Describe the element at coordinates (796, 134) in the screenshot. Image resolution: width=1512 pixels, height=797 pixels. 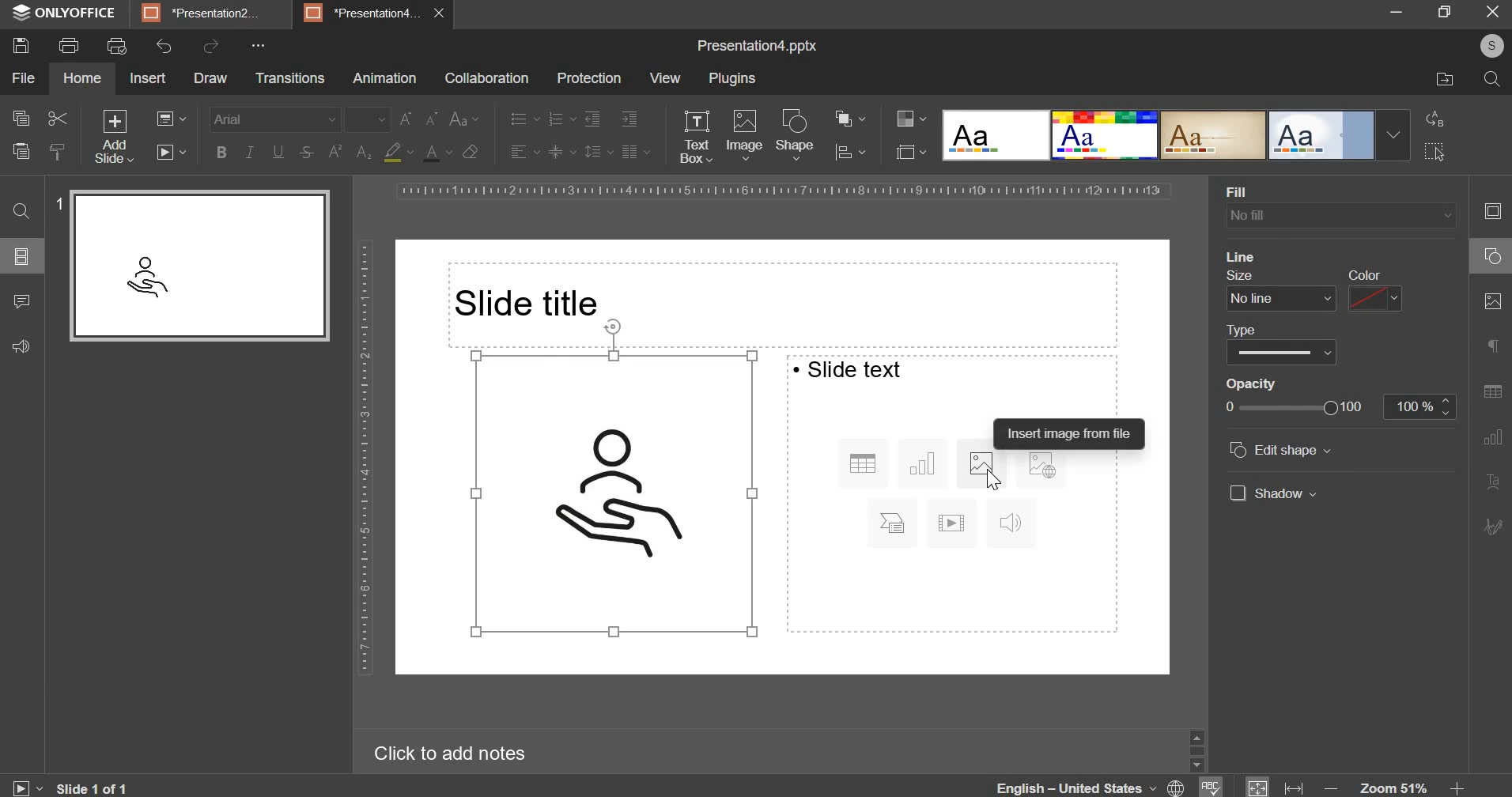
I see `shape` at that location.